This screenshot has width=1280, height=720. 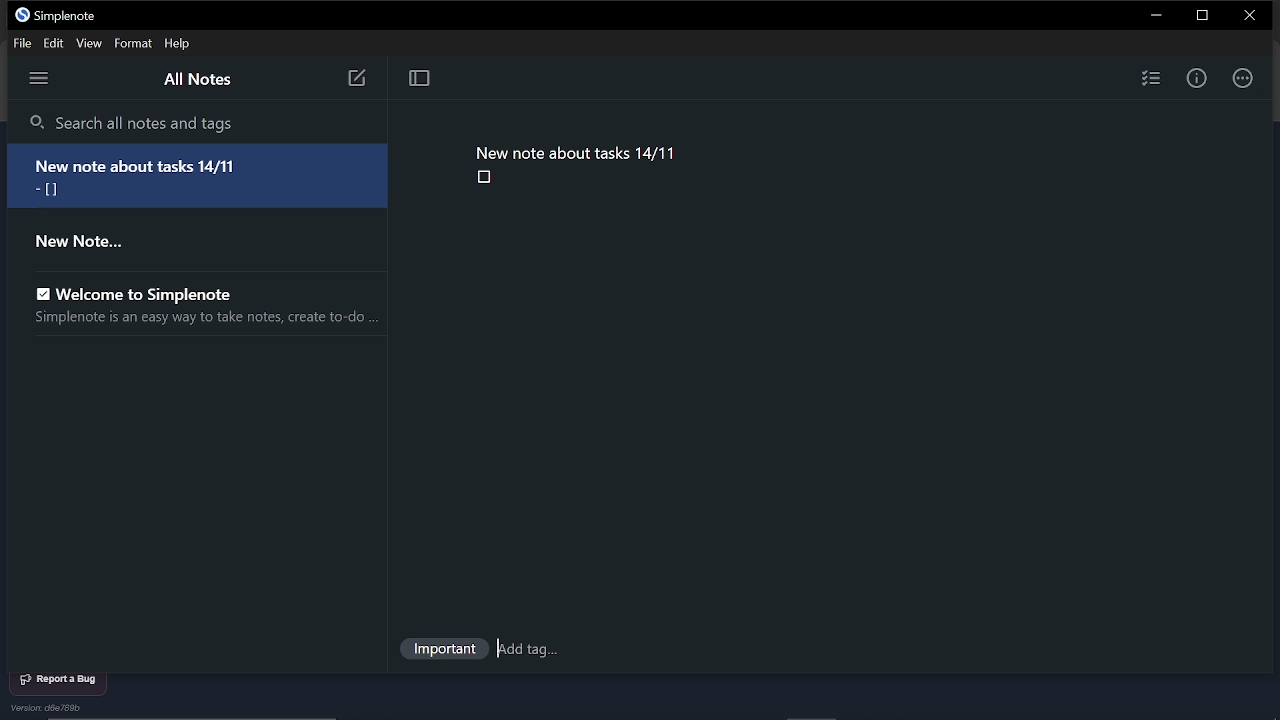 What do you see at coordinates (92, 244) in the screenshot?
I see `New Note...` at bounding box center [92, 244].